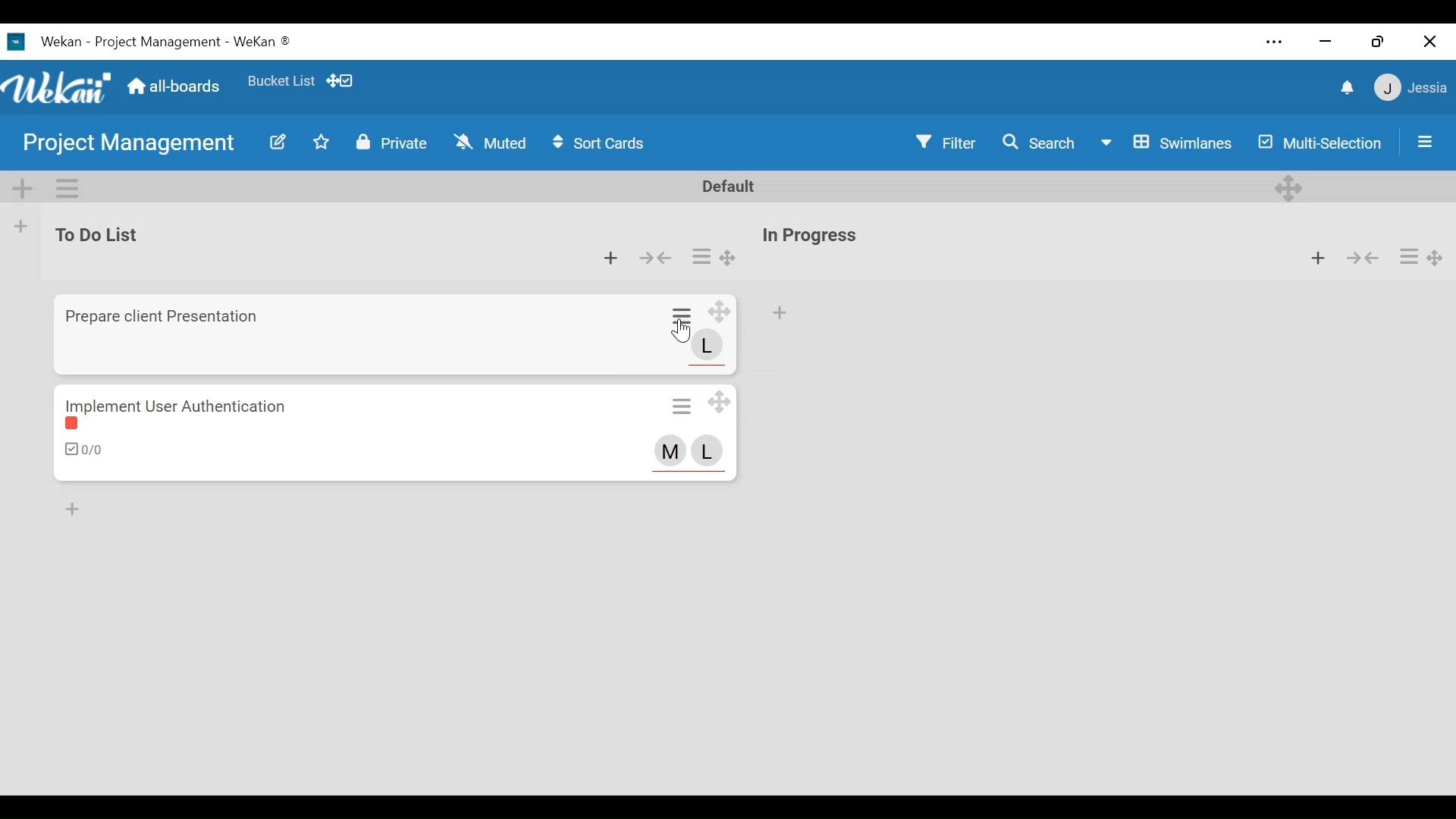  What do you see at coordinates (1316, 143) in the screenshot?
I see `Multi-Selection` at bounding box center [1316, 143].